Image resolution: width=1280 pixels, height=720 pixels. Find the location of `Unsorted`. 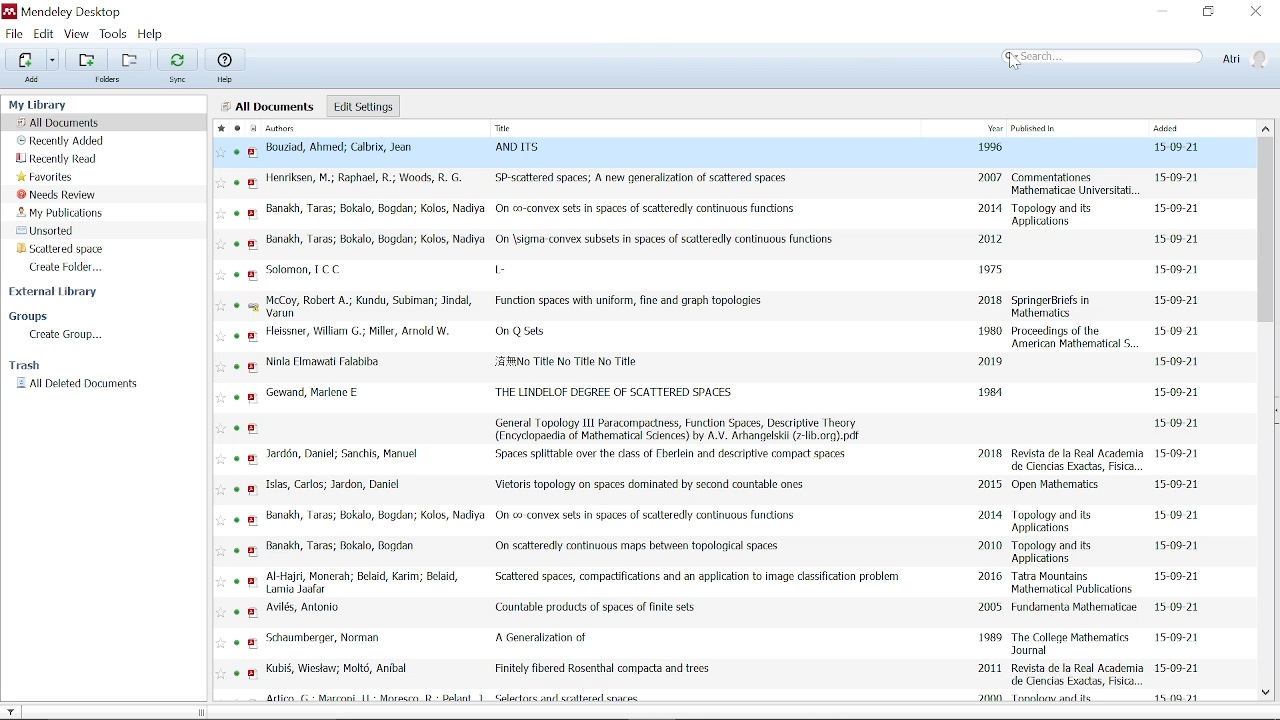

Unsorted is located at coordinates (60, 231).